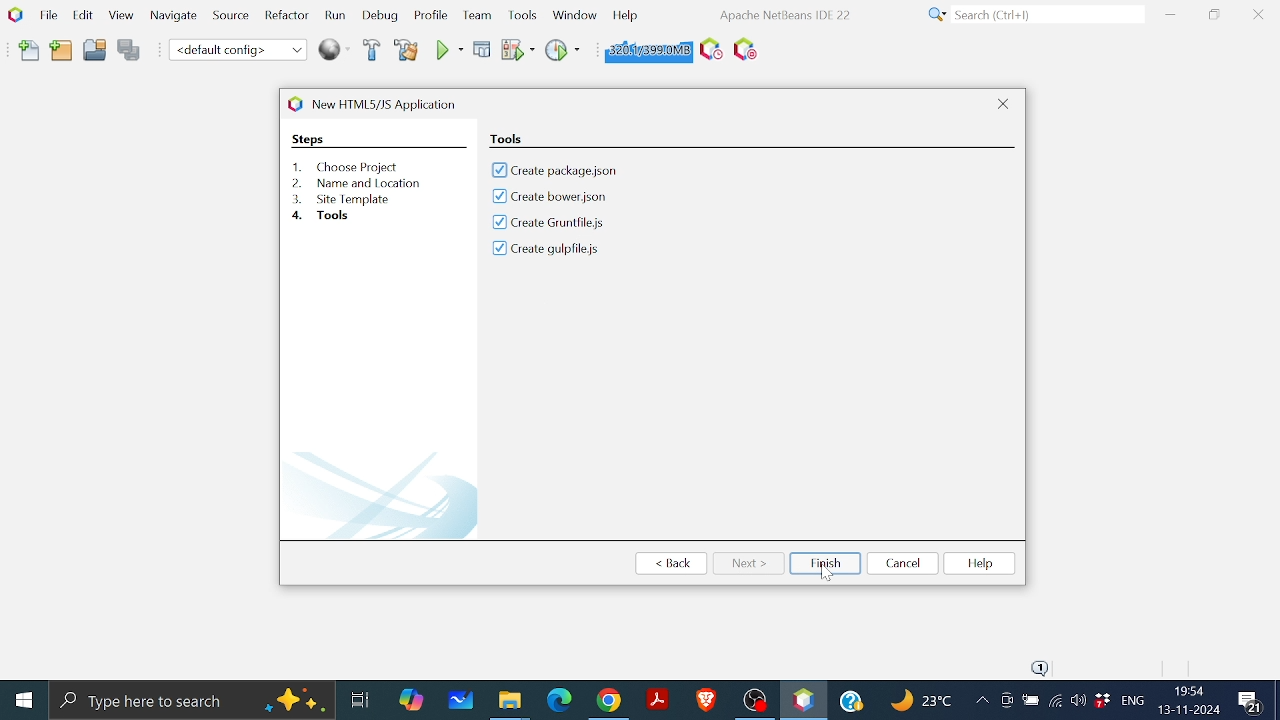 The image size is (1280, 720). I want to click on 3. Site template, so click(344, 199).